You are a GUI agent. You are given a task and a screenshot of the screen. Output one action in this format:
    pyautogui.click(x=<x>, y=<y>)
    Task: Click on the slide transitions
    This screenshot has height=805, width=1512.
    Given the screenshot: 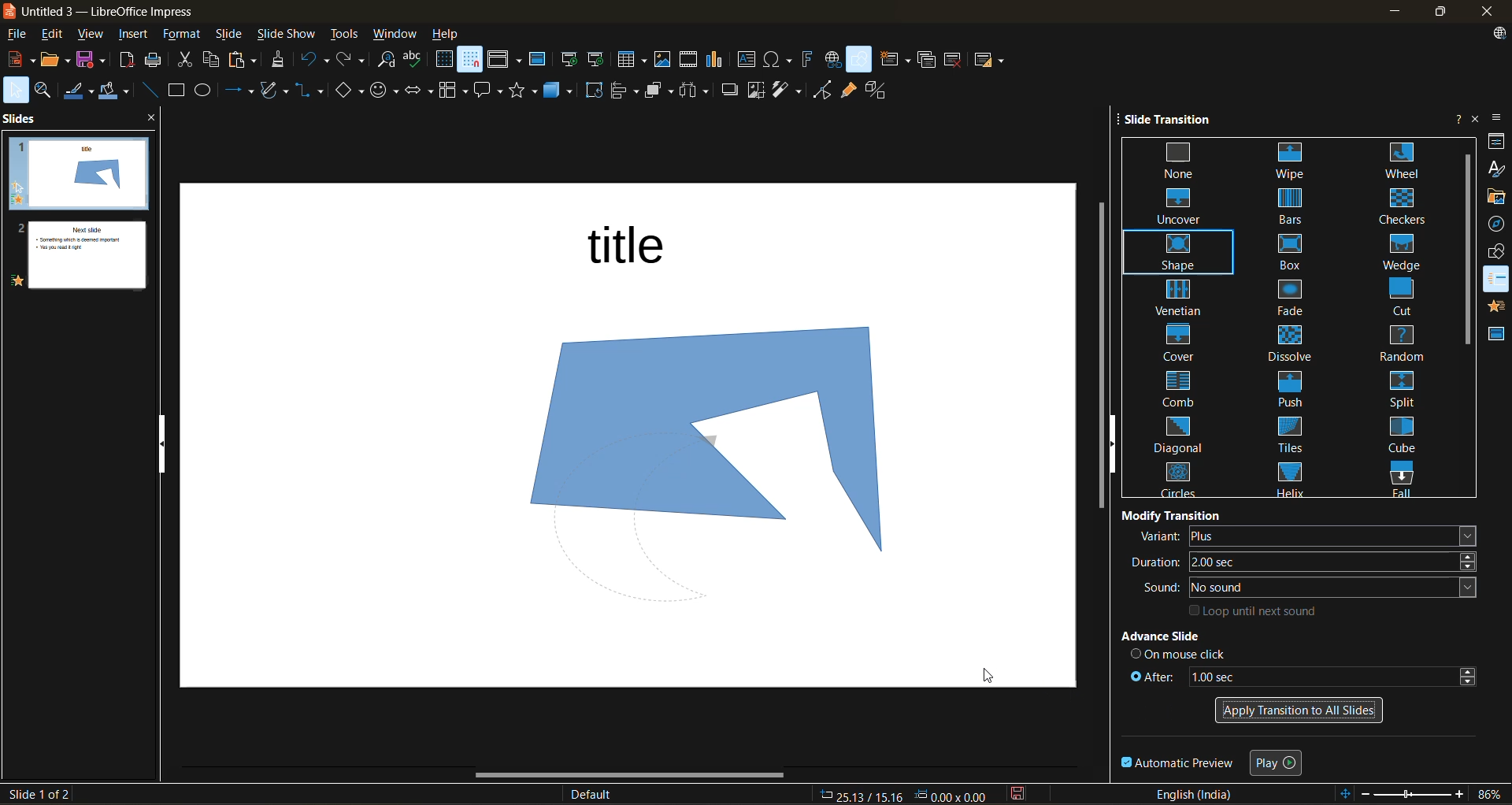 What is the action you would take?
    pyautogui.click(x=1292, y=318)
    